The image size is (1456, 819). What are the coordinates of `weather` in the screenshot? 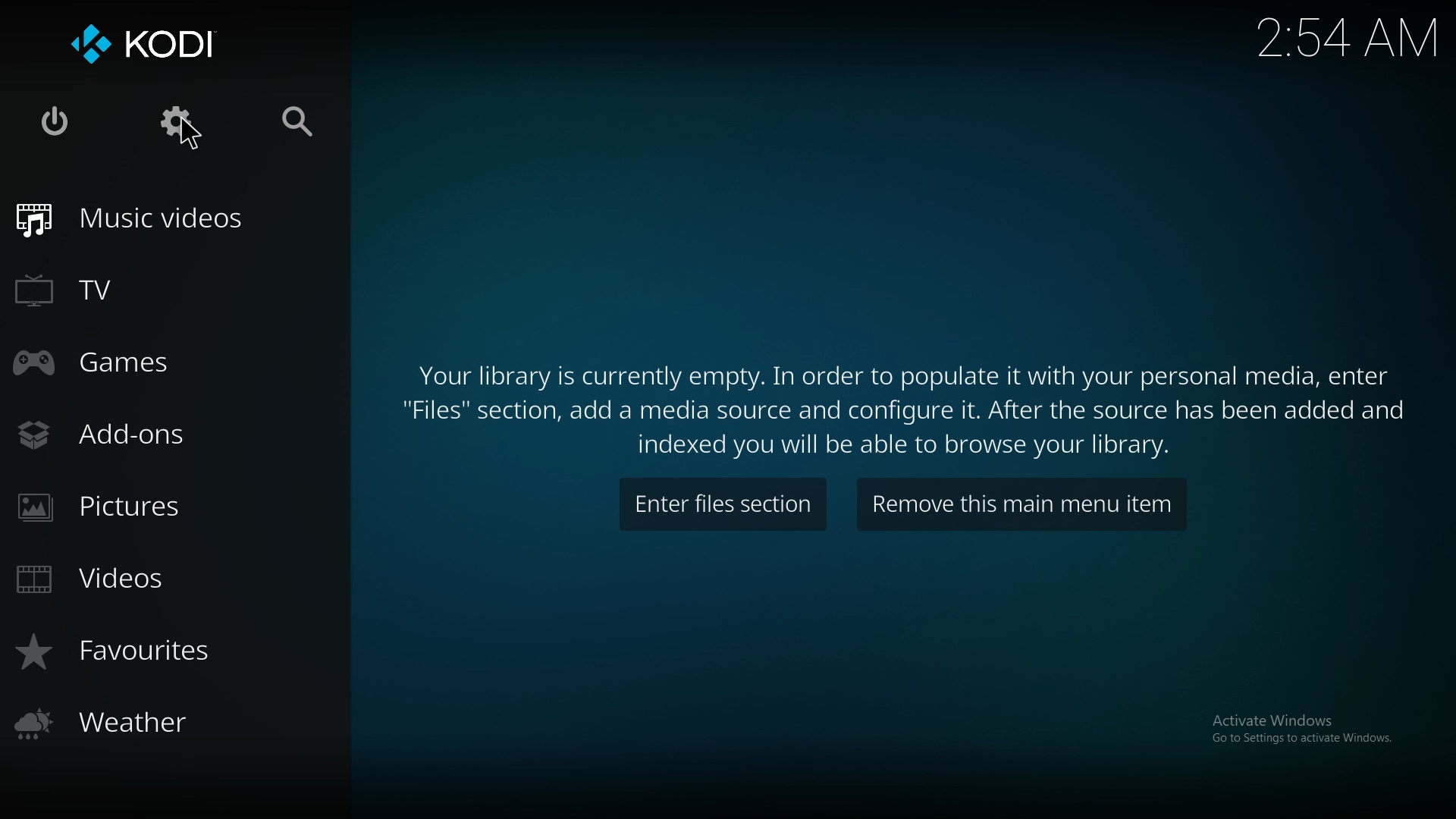 It's located at (115, 723).